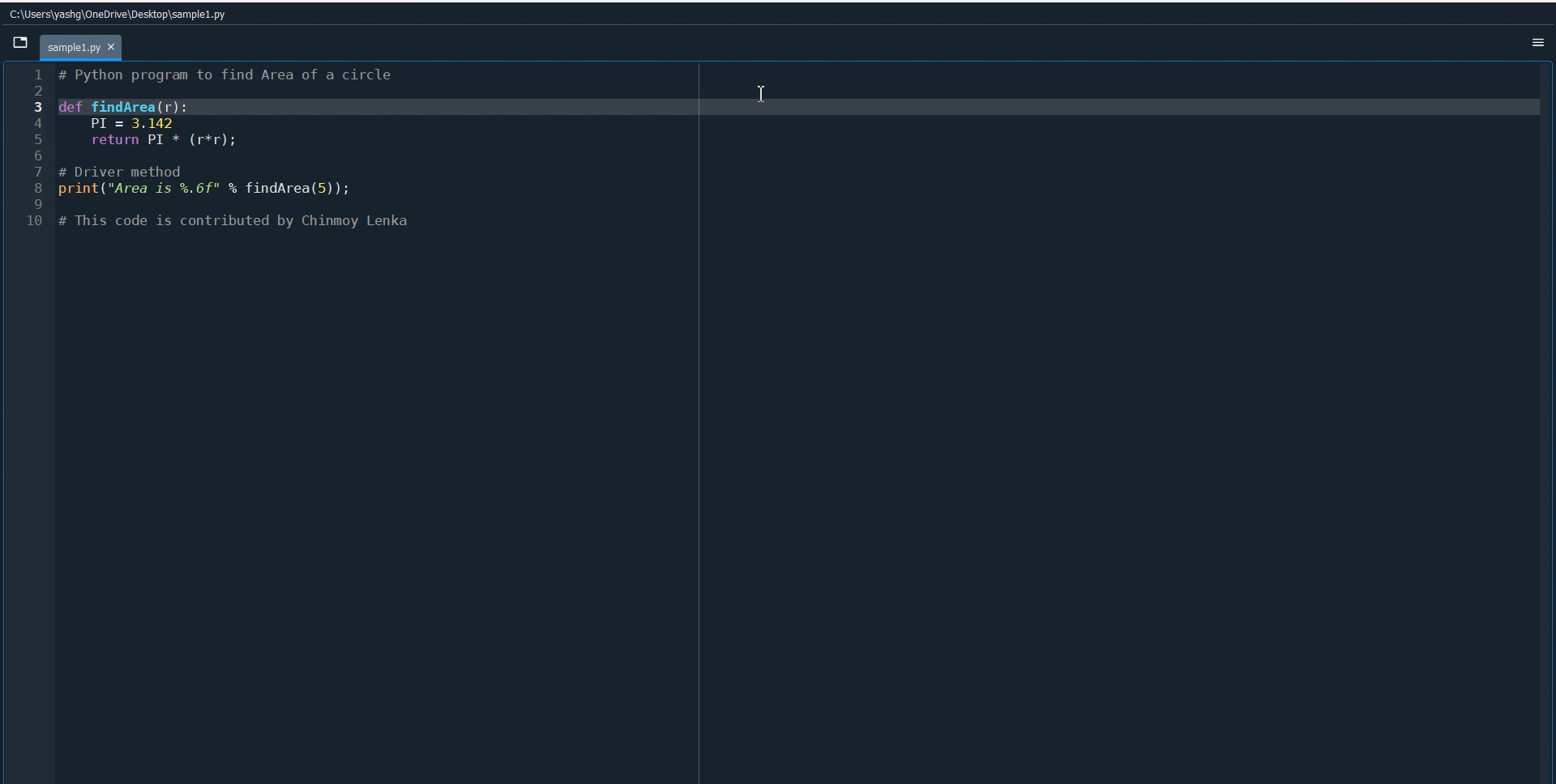 This screenshot has height=784, width=1556. Describe the element at coordinates (21, 43) in the screenshot. I see `Browse tab` at that location.